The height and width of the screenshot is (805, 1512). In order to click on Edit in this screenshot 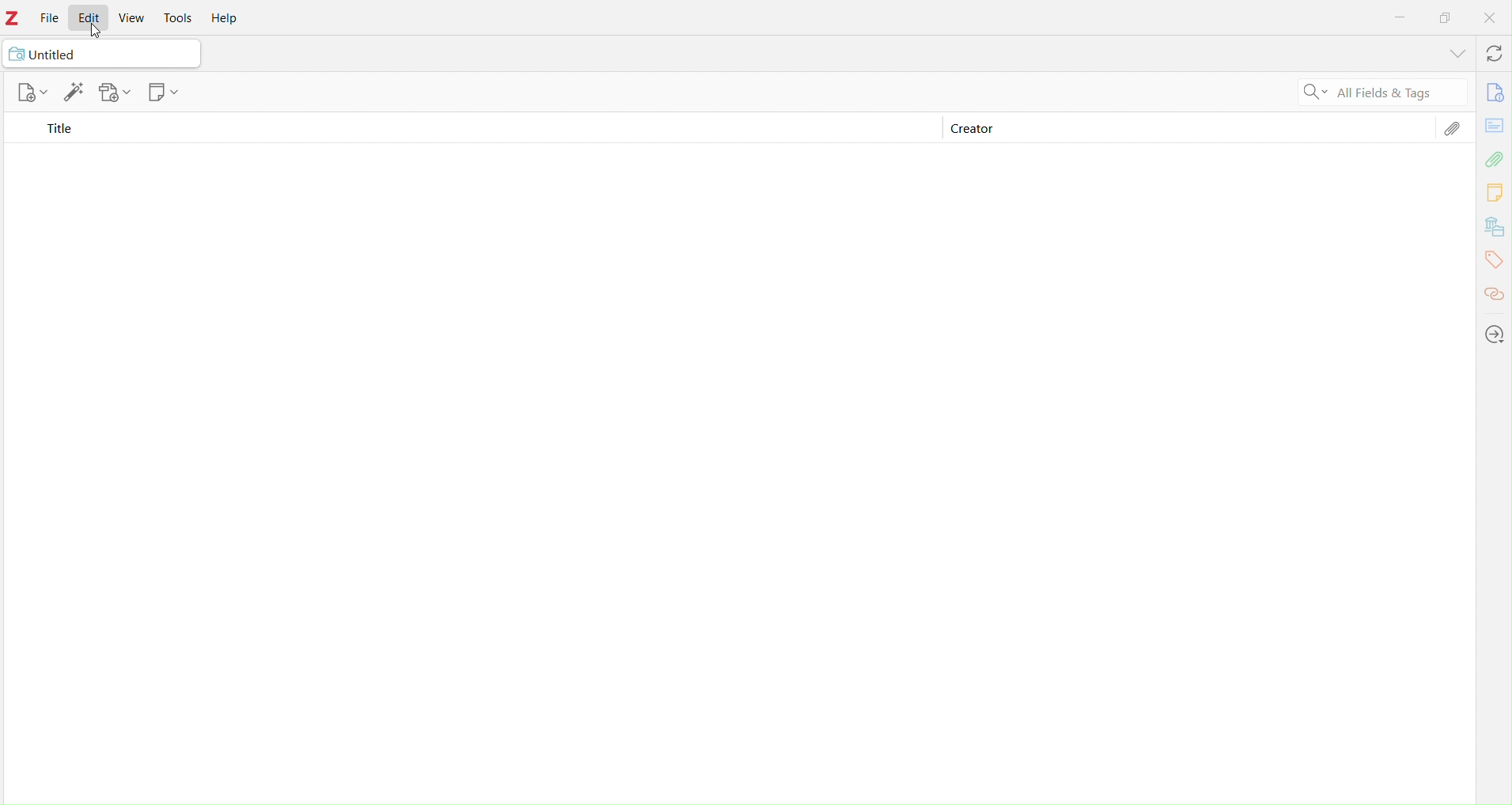, I will do `click(74, 94)`.